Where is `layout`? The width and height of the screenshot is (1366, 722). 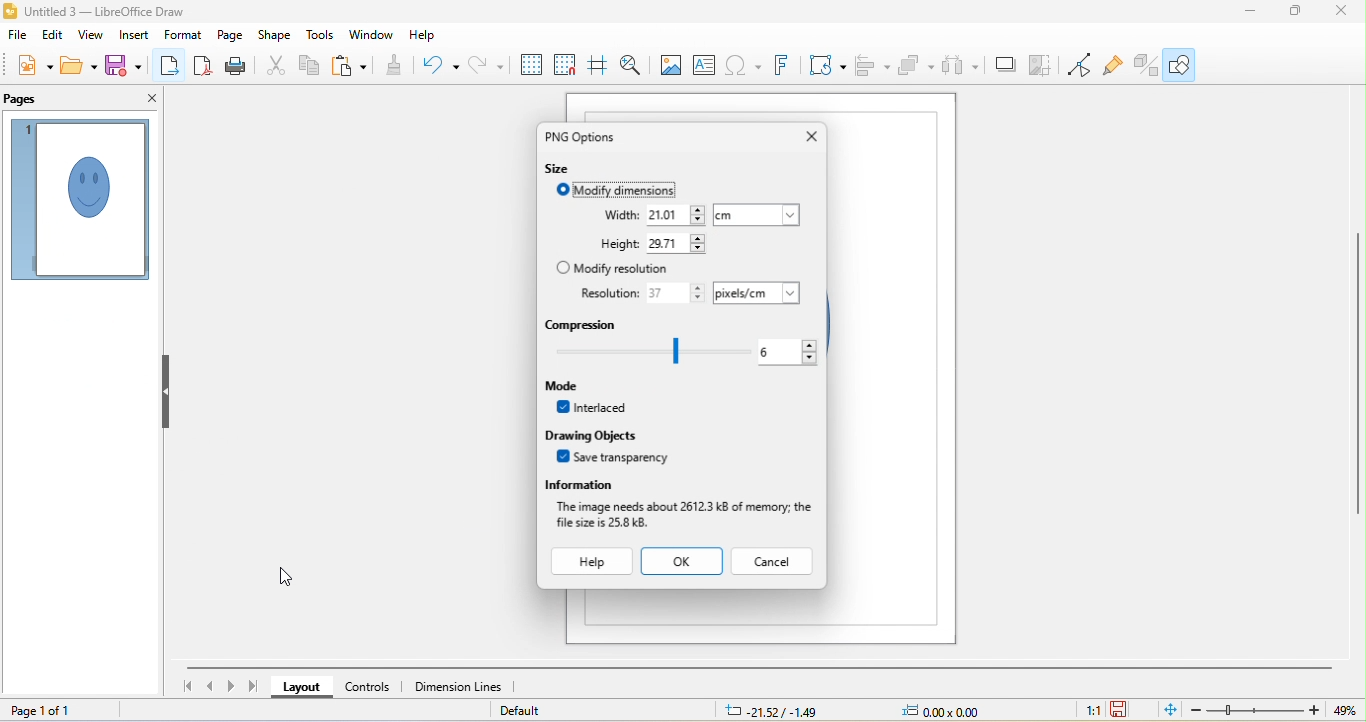 layout is located at coordinates (304, 690).